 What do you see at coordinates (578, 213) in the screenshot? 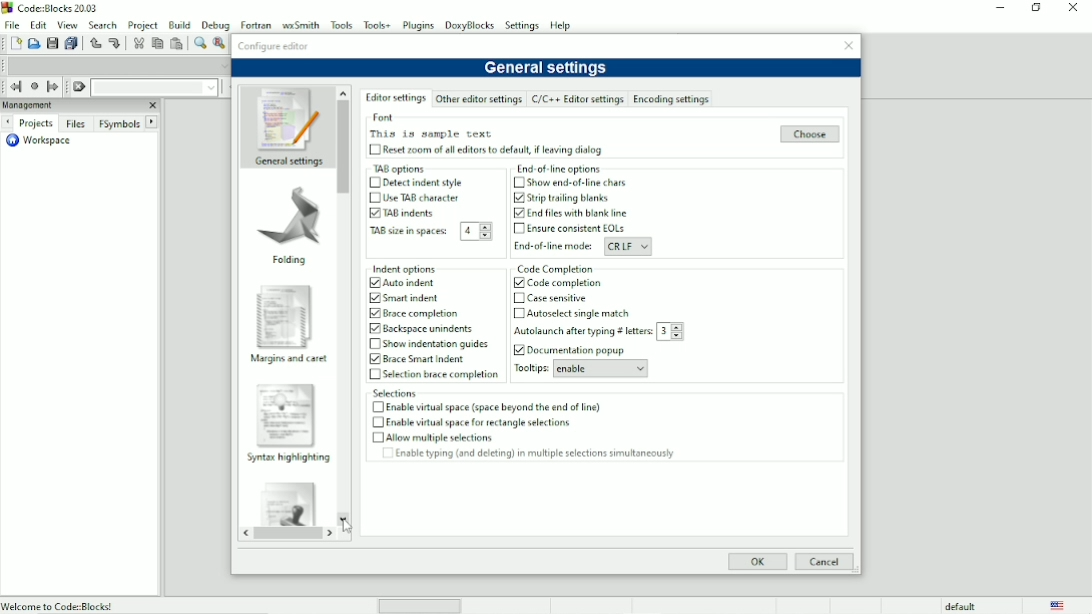
I see `End files with blank line` at bounding box center [578, 213].